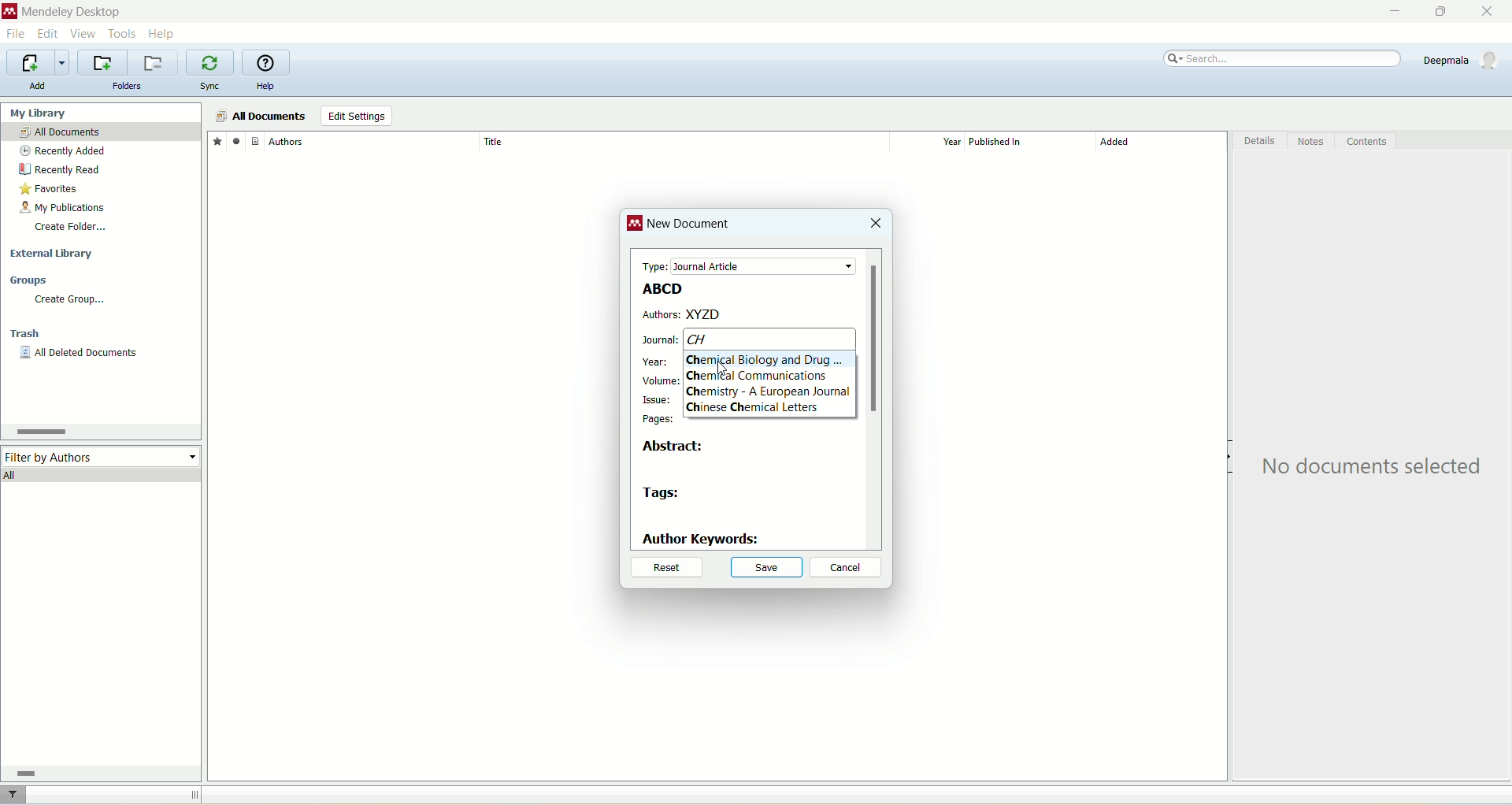 Image resolution: width=1512 pixels, height=805 pixels. I want to click on online help guide for mendeley, so click(267, 63).